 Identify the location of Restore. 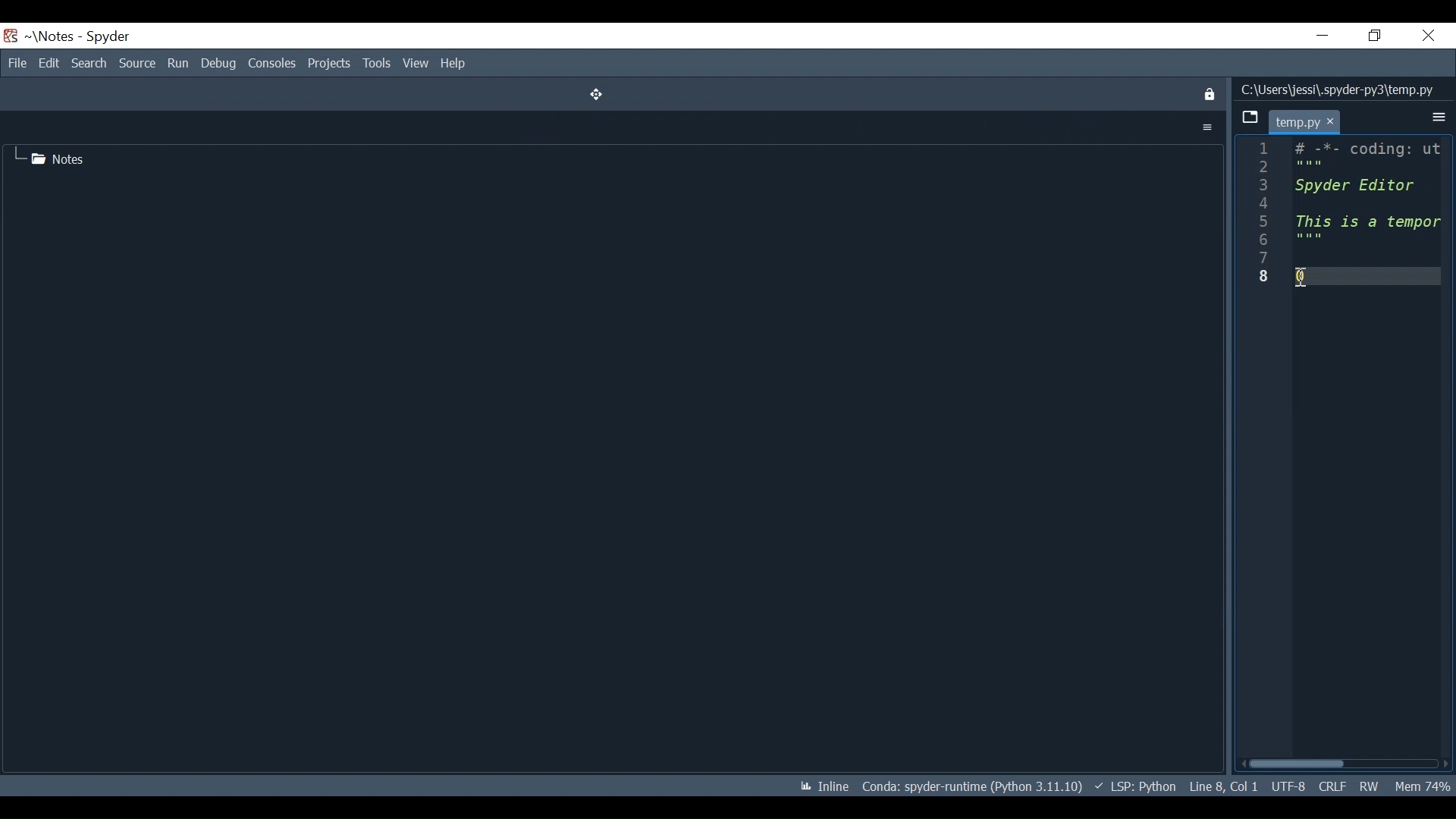
(1375, 35).